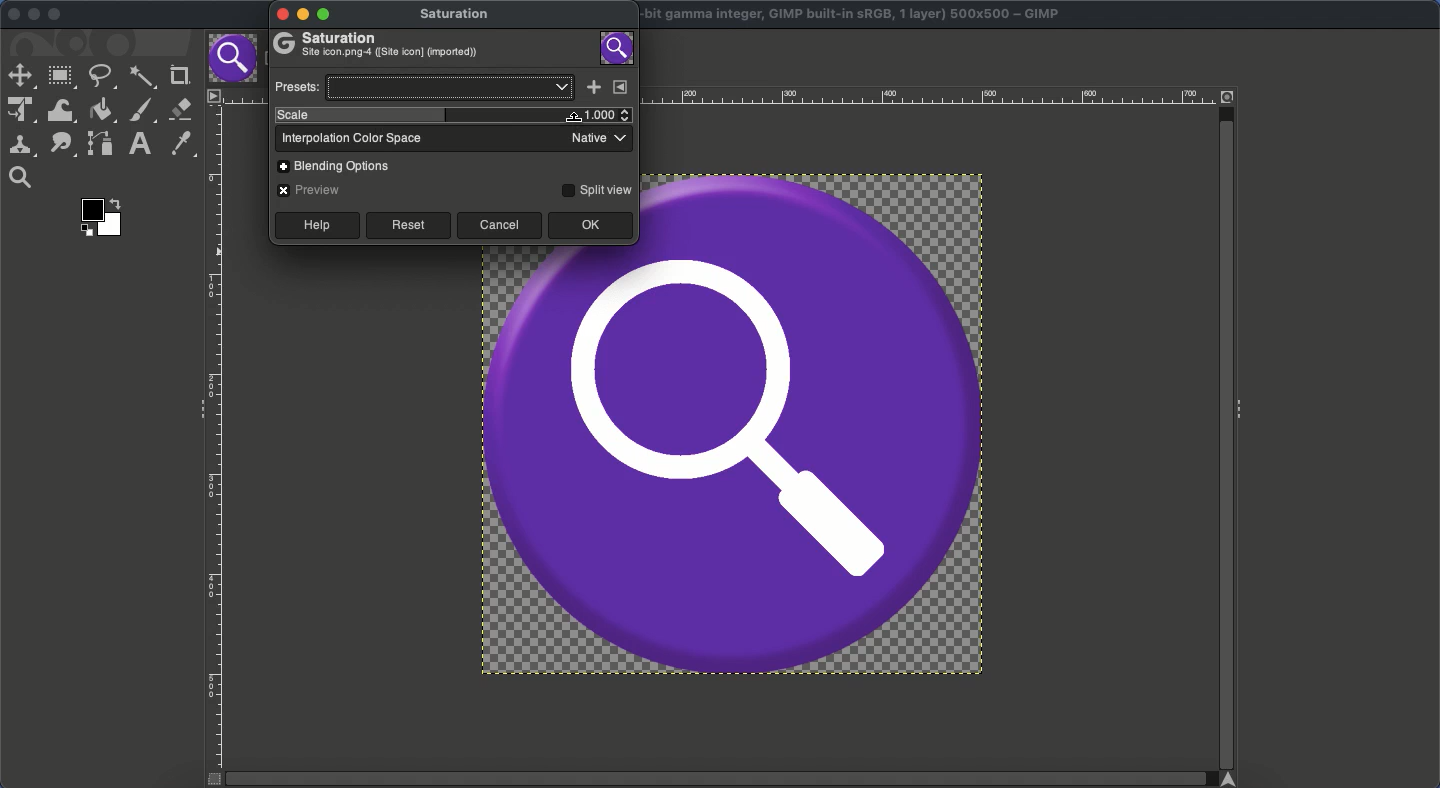 Image resolution: width=1440 pixels, height=788 pixels. I want to click on Fill color, so click(100, 111).